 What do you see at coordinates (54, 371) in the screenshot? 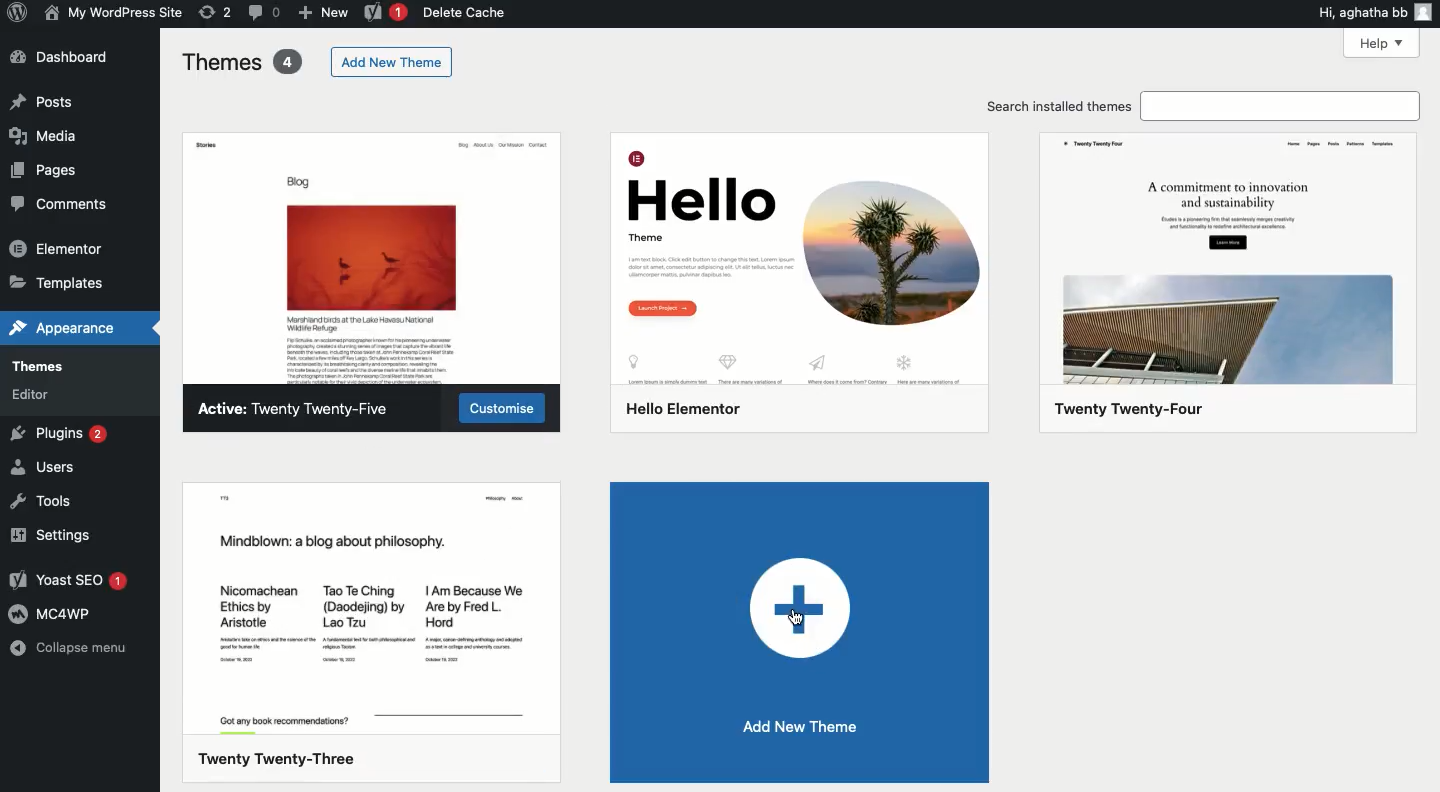
I see `Themes` at bounding box center [54, 371].